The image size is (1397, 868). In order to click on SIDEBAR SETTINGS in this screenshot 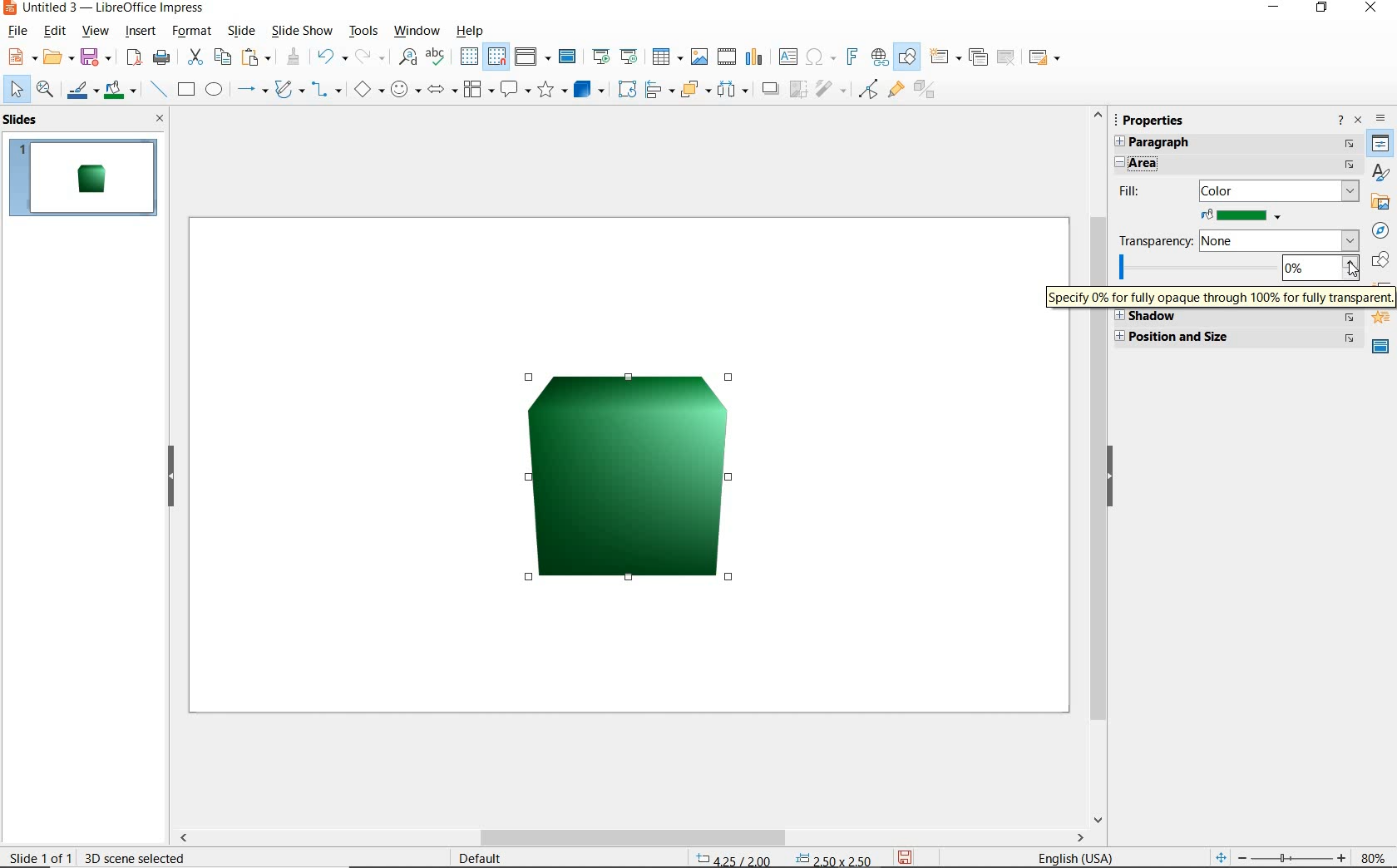, I will do `click(1380, 118)`.